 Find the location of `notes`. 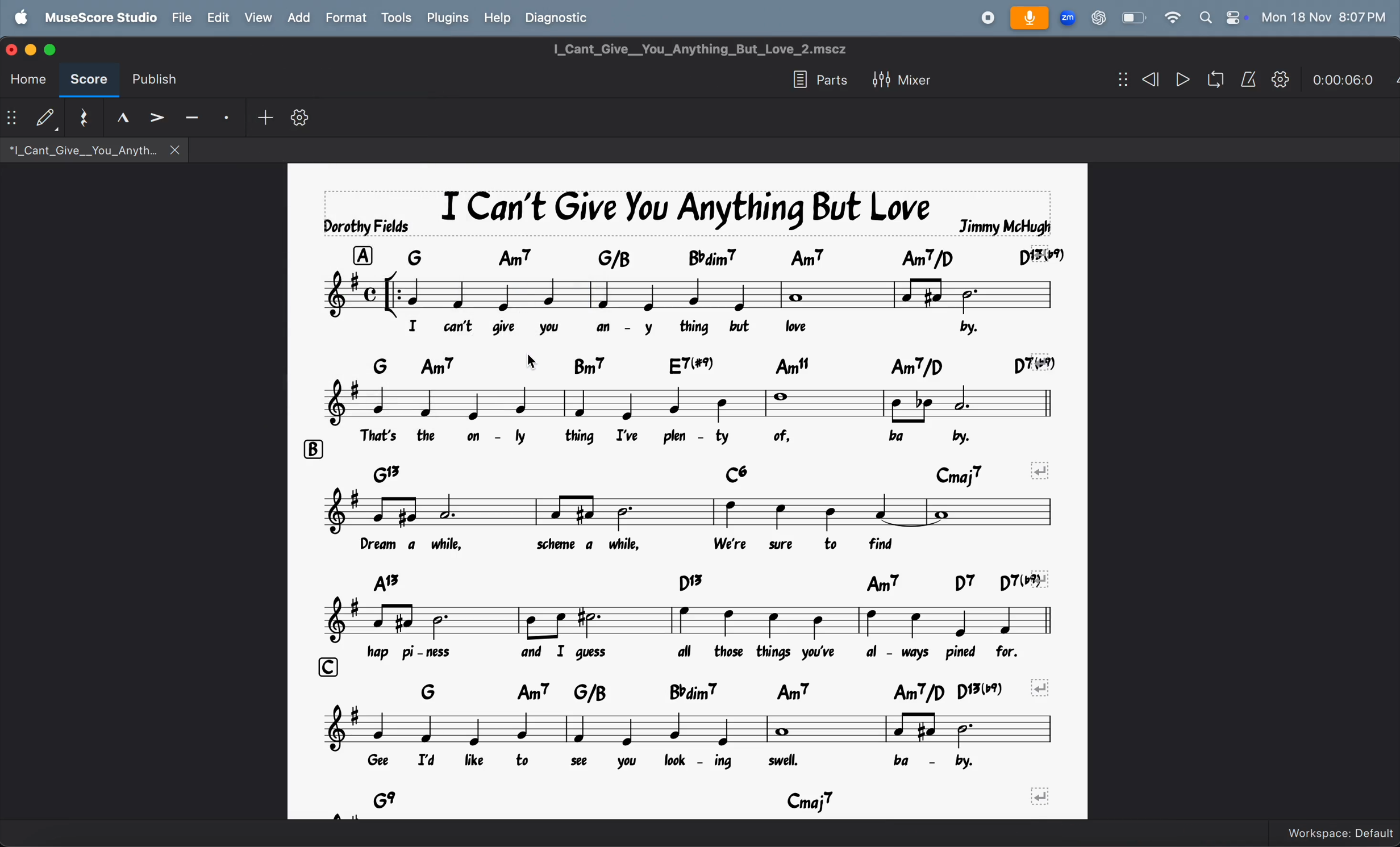

notes is located at coordinates (688, 728).